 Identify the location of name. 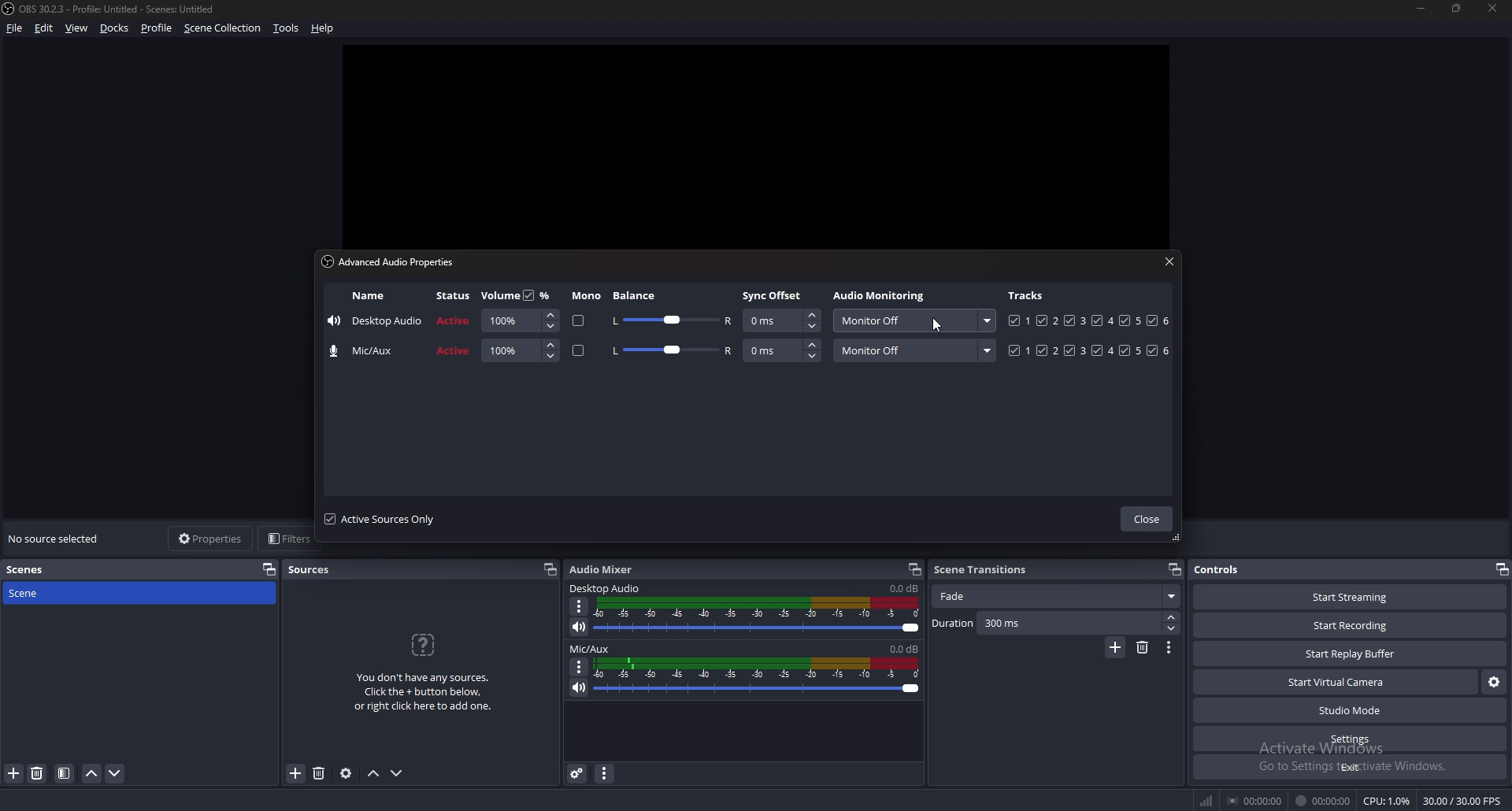
(376, 320).